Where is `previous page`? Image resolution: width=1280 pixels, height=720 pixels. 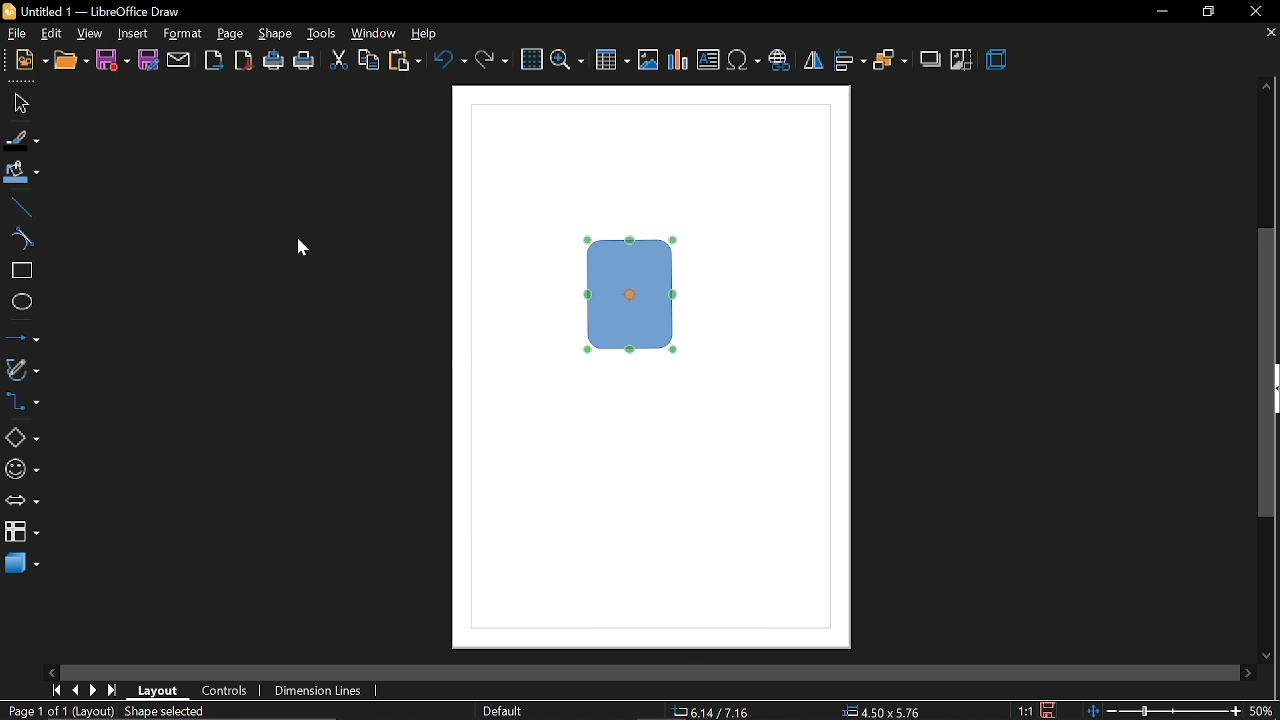
previous page is located at coordinates (73, 691).